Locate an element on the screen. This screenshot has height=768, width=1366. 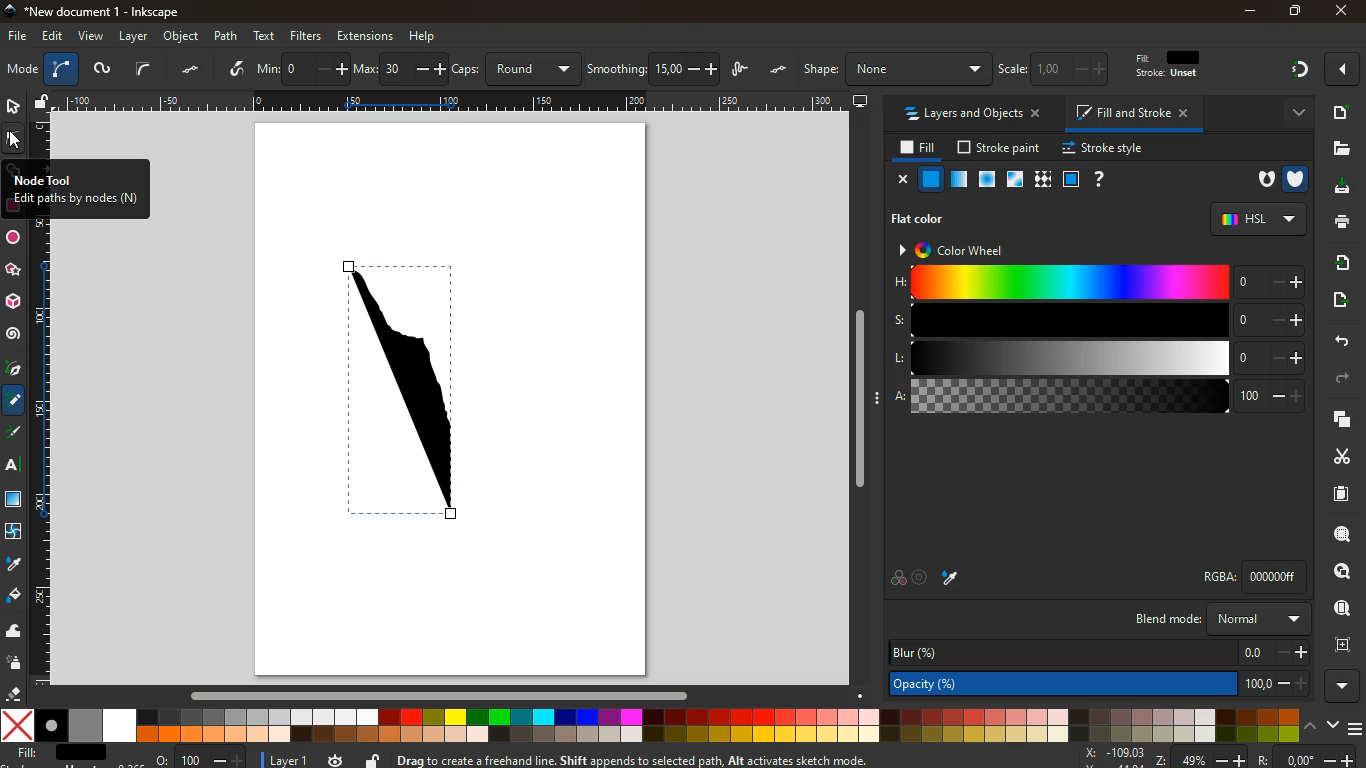
texture is located at coordinates (1042, 179).